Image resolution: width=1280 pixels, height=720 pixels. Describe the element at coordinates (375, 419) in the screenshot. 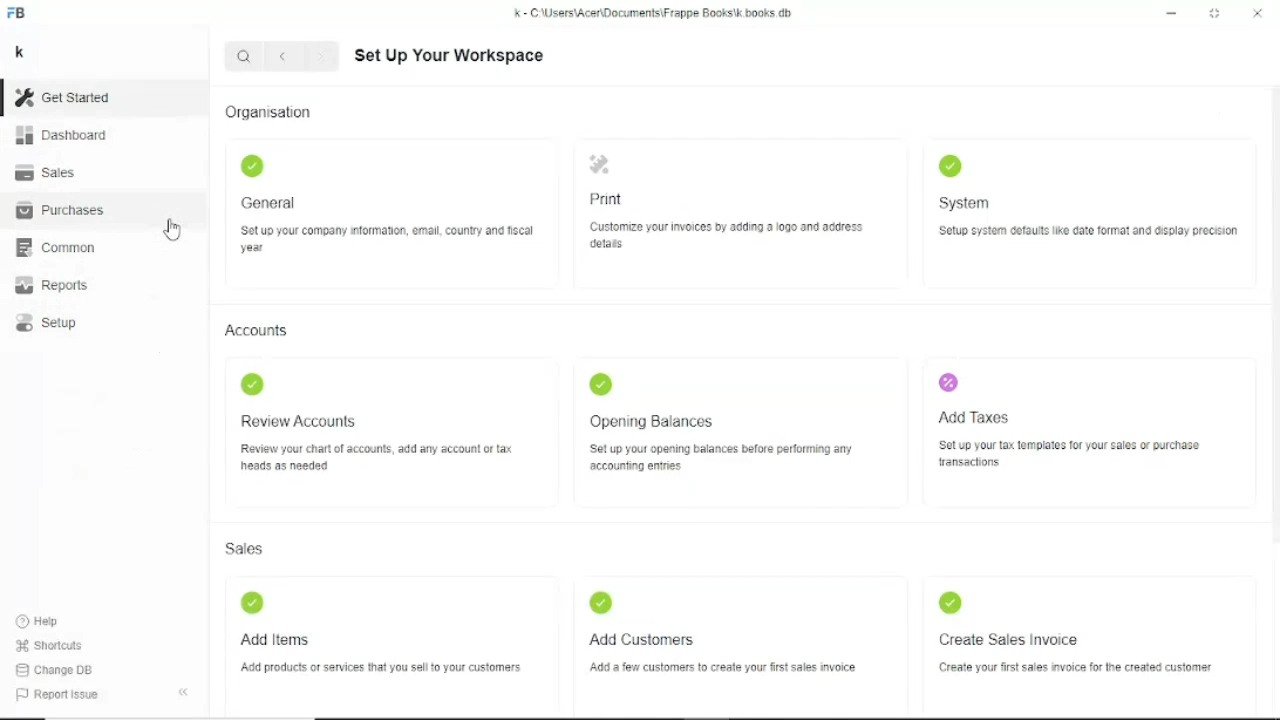

I see `Review accounts  review your chart of accounts, add any account or tax heads as needed.` at that location.